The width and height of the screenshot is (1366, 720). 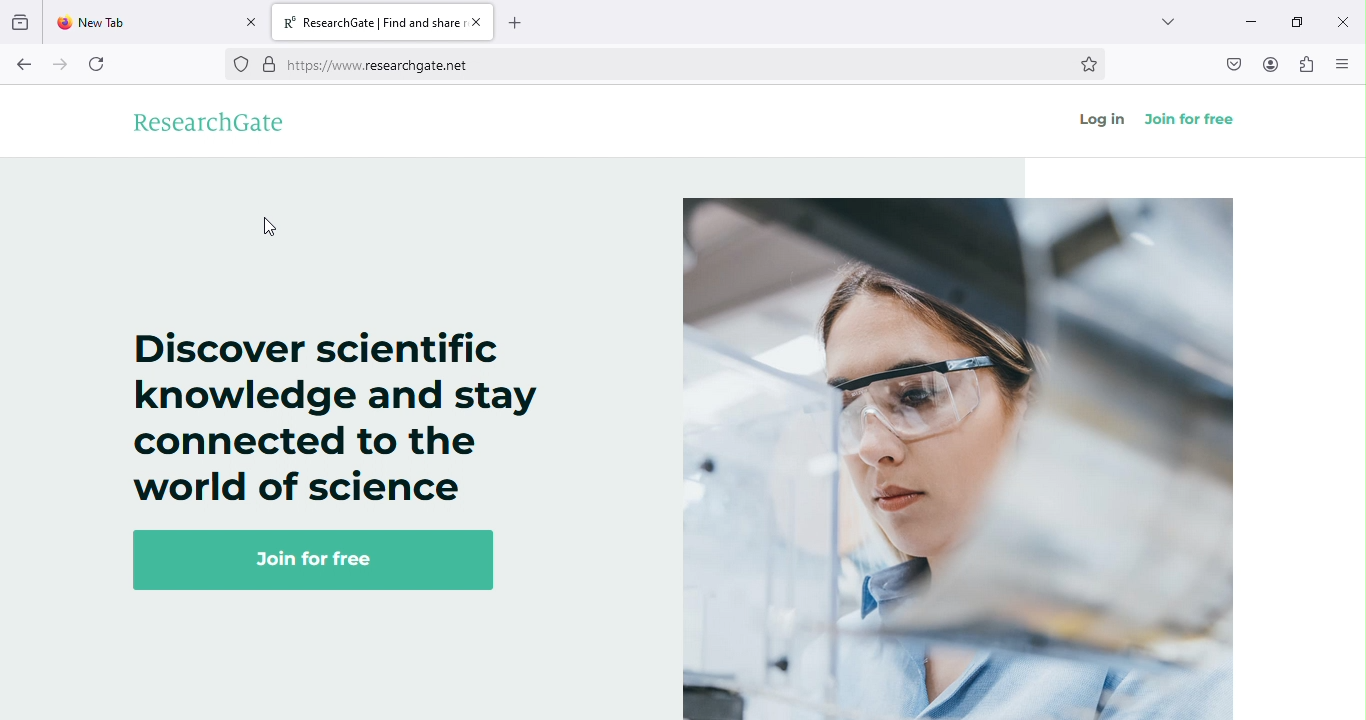 What do you see at coordinates (97, 65) in the screenshot?
I see `refresh` at bounding box center [97, 65].